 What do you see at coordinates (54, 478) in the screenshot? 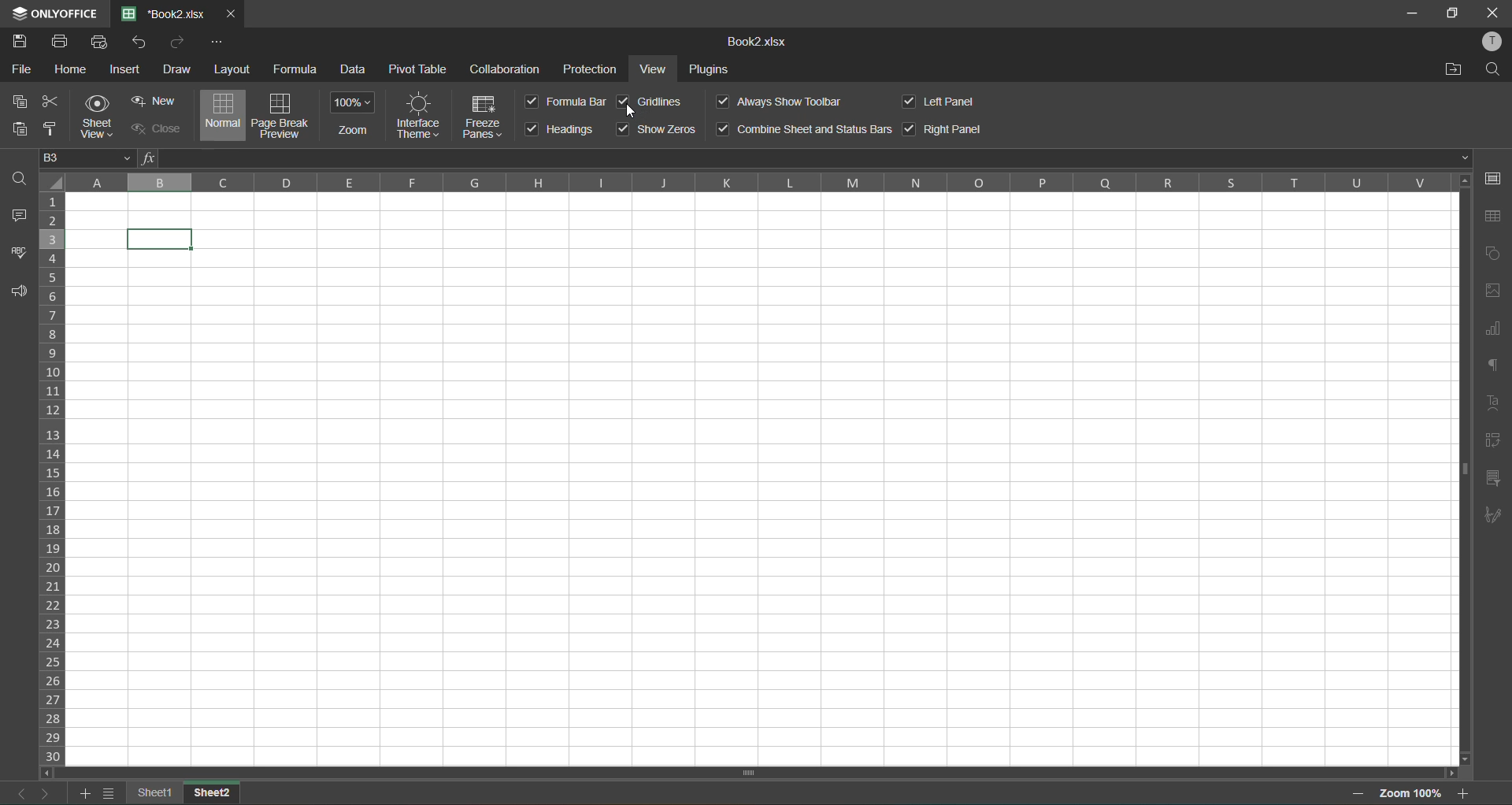
I see `row numbers` at bounding box center [54, 478].